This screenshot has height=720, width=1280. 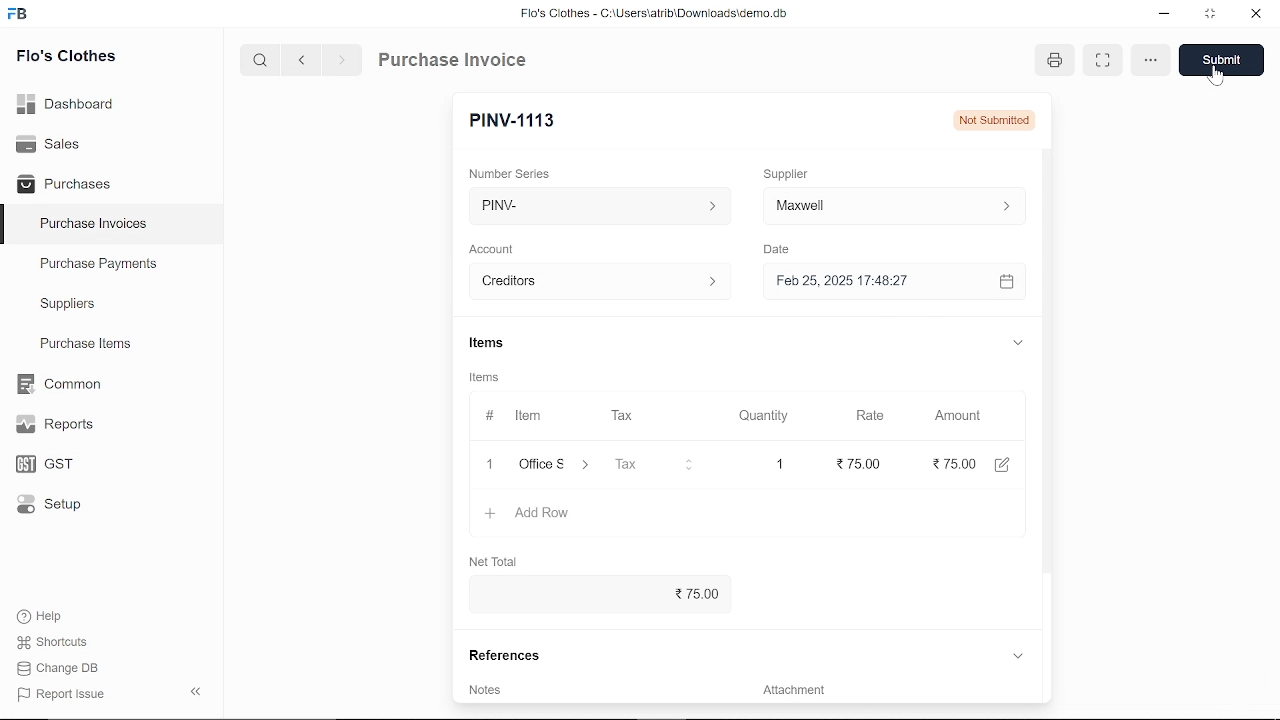 I want to click on full view, so click(x=1103, y=60).